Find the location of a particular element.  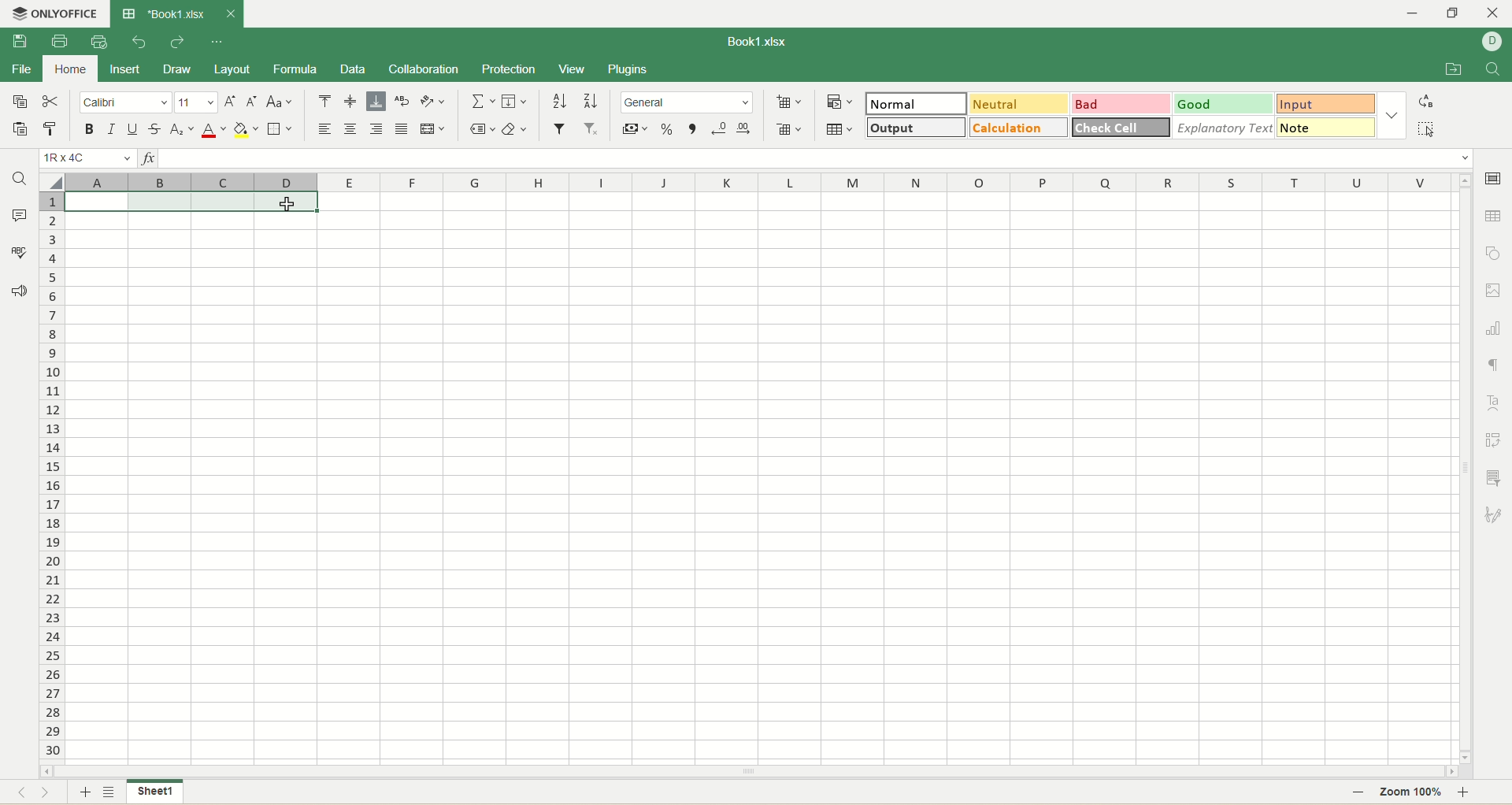

layout is located at coordinates (232, 68).